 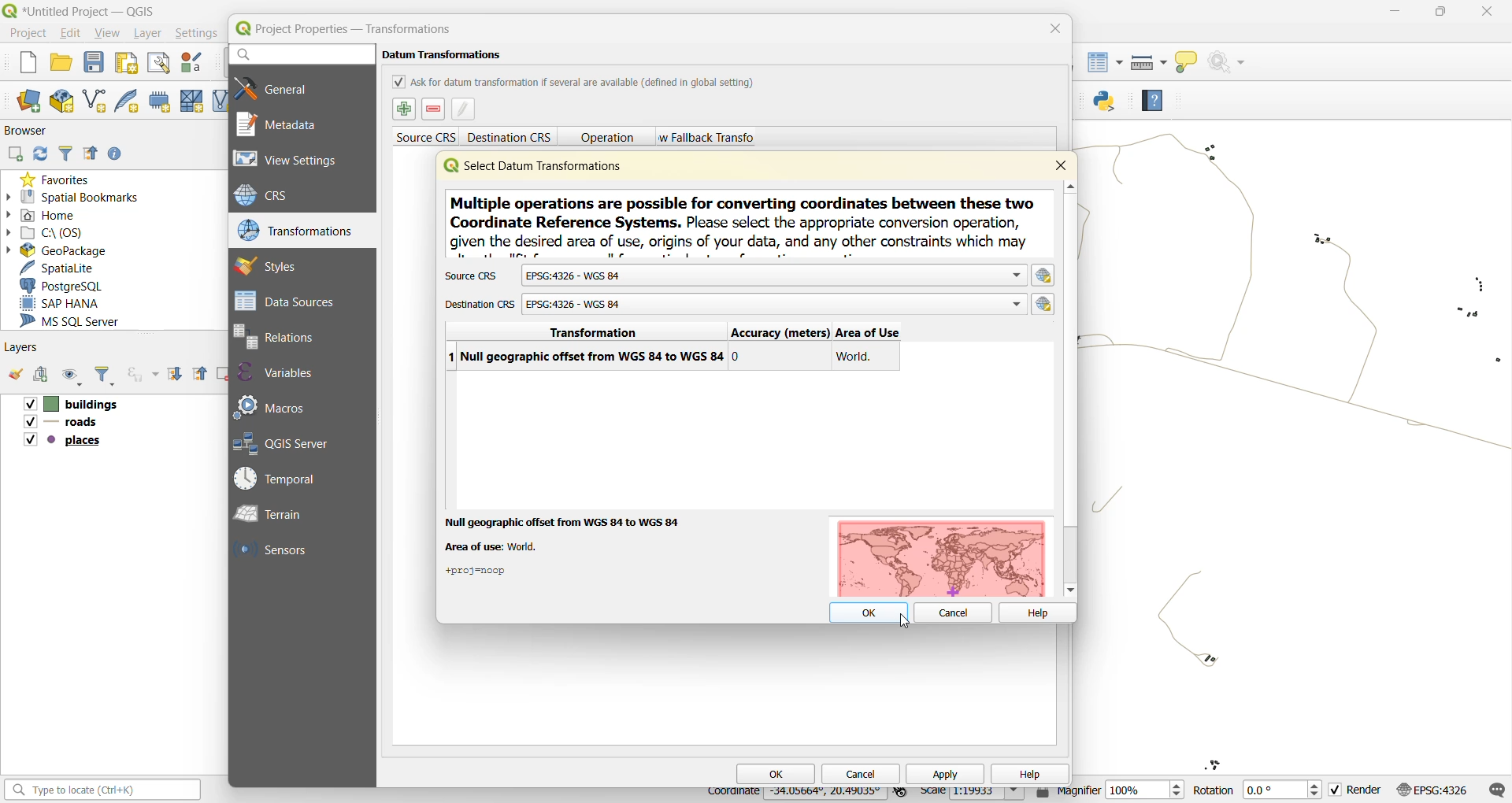 What do you see at coordinates (1258, 790) in the screenshot?
I see `rotation` at bounding box center [1258, 790].